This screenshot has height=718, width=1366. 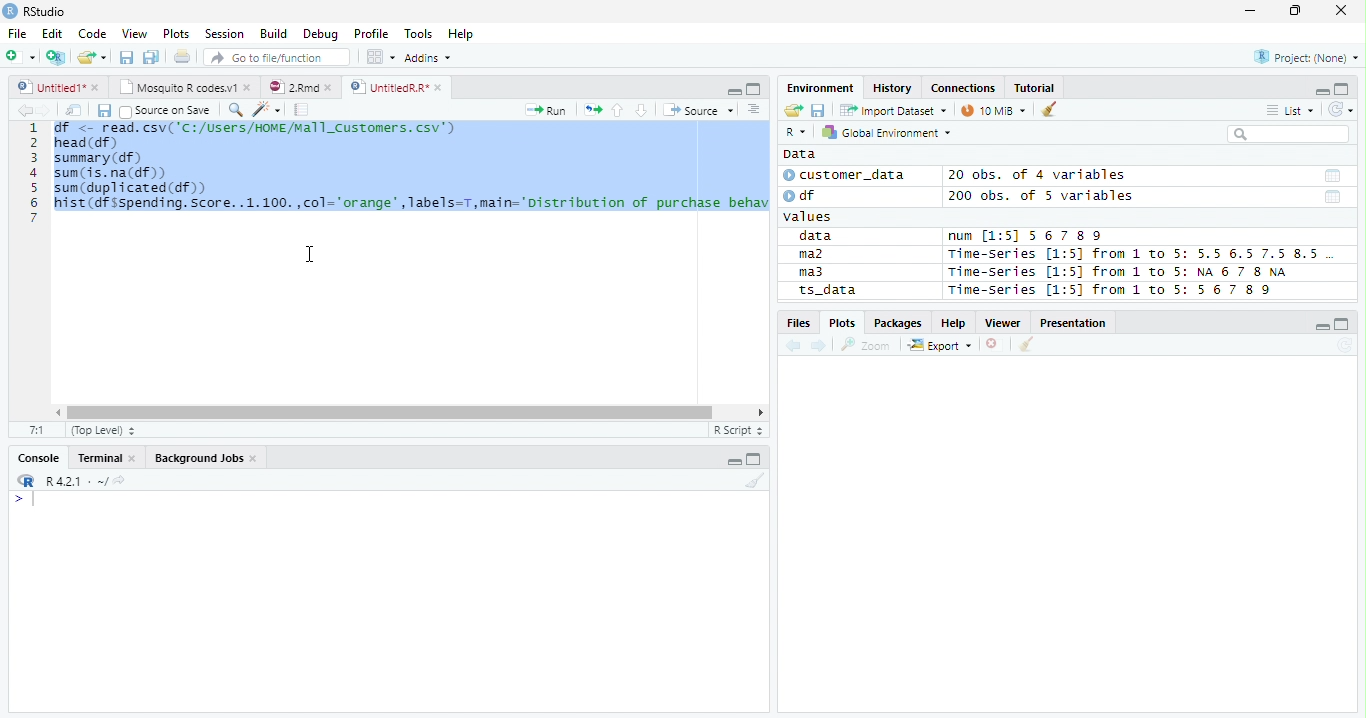 What do you see at coordinates (822, 88) in the screenshot?
I see `Environment` at bounding box center [822, 88].